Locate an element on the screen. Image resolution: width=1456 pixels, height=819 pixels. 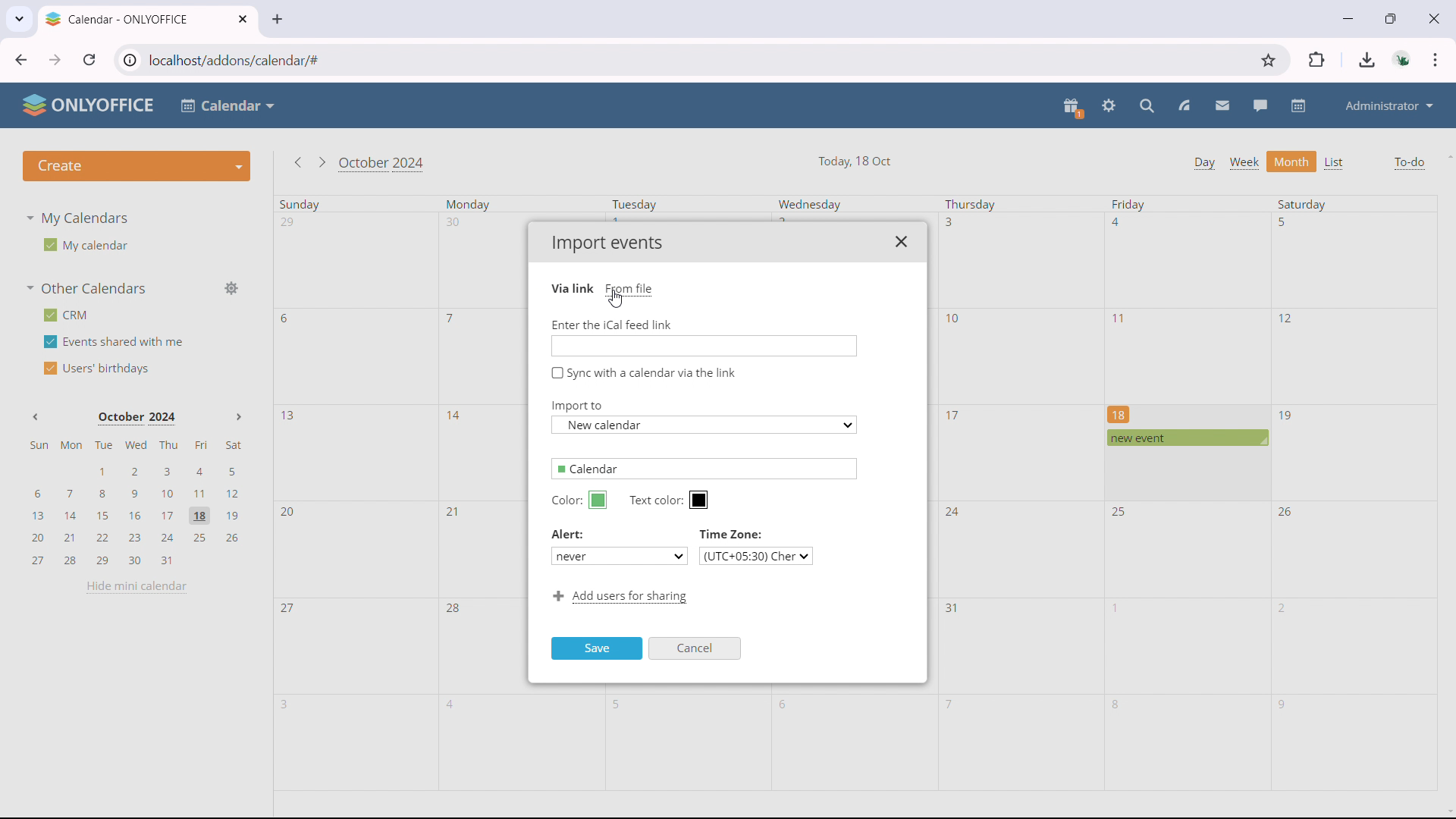
settings is located at coordinates (1109, 107).